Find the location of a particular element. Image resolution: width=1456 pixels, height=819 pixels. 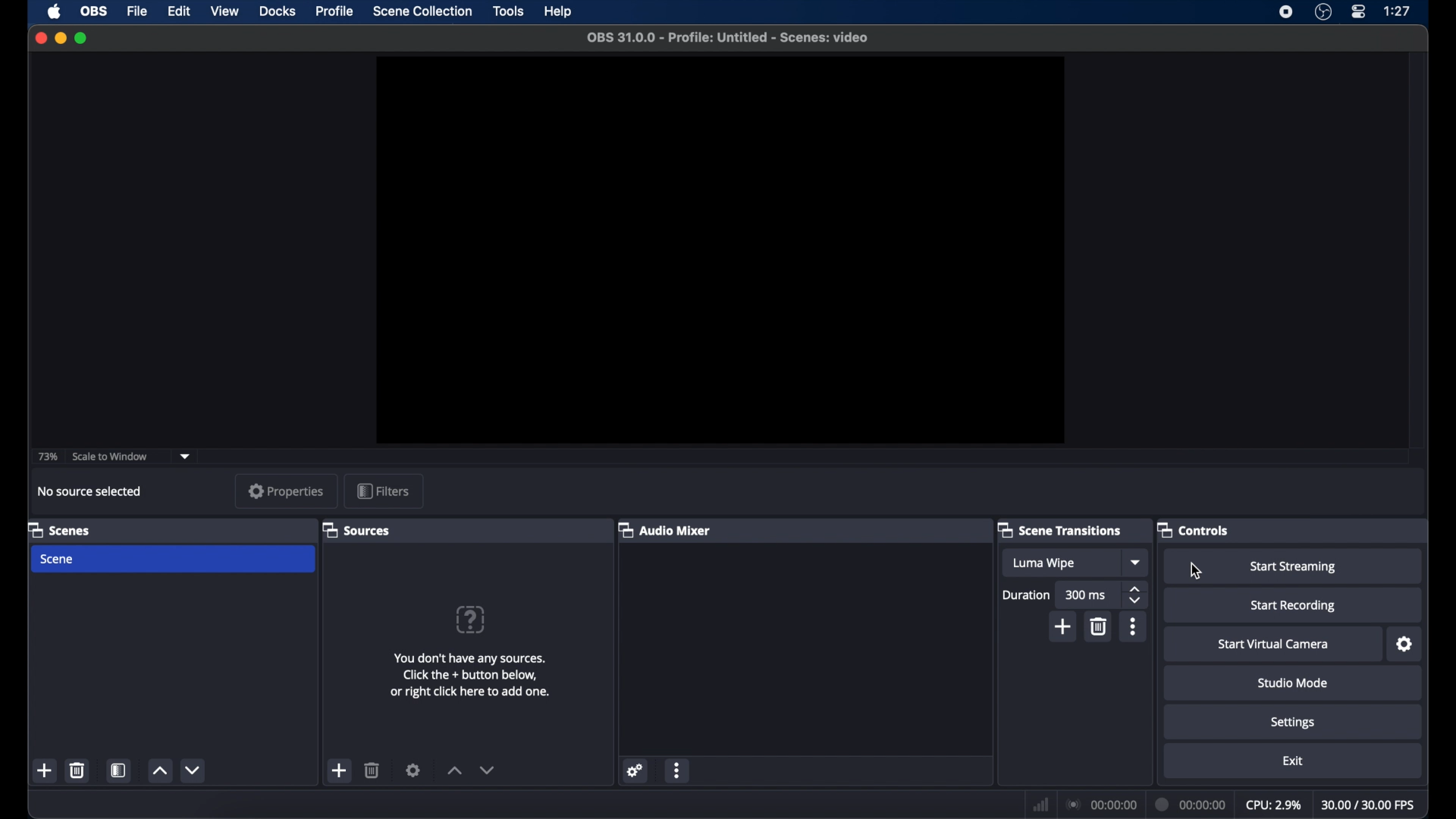

help is located at coordinates (559, 11).